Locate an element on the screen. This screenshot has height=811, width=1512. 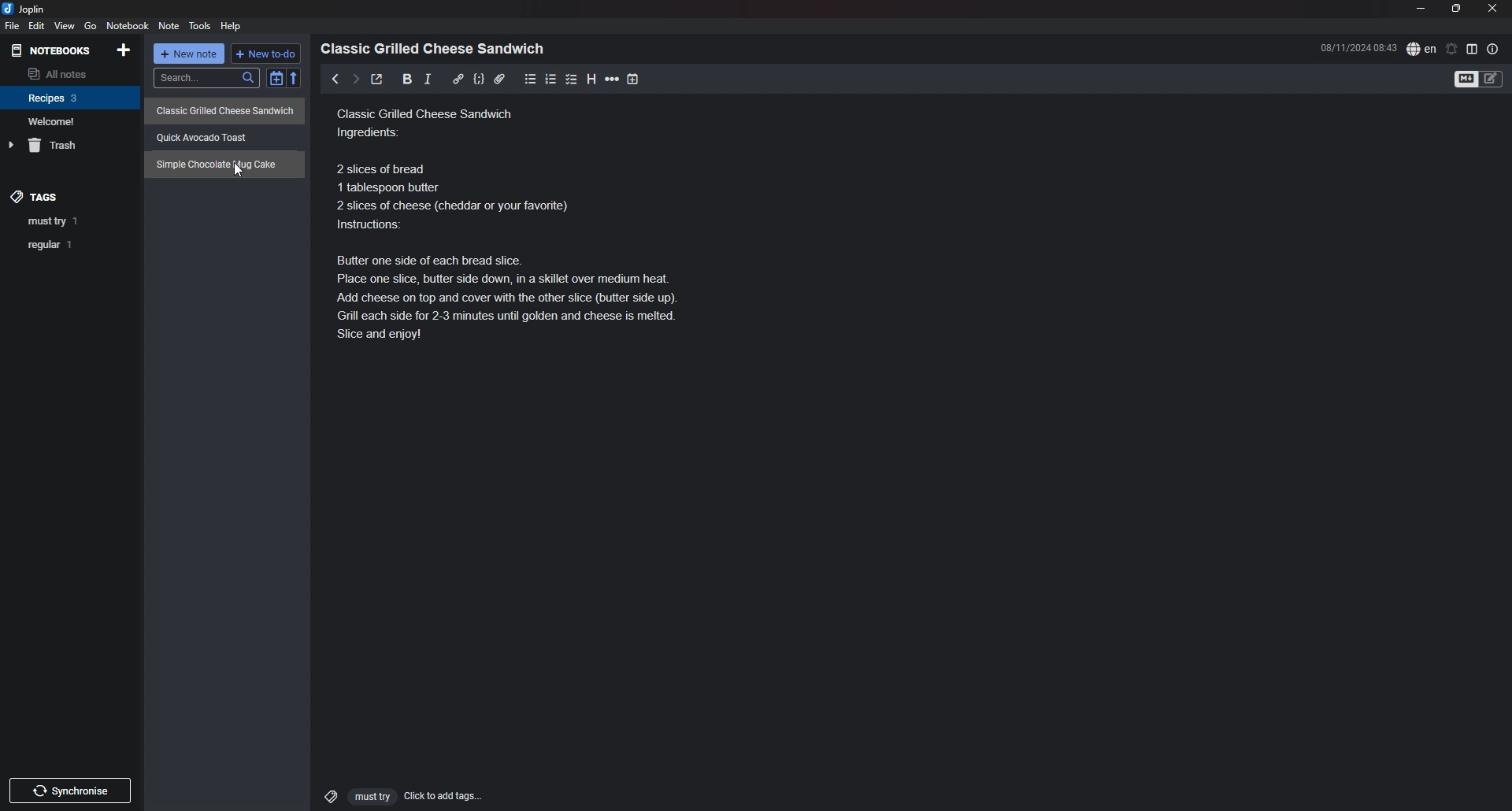
new todo is located at coordinates (267, 54).